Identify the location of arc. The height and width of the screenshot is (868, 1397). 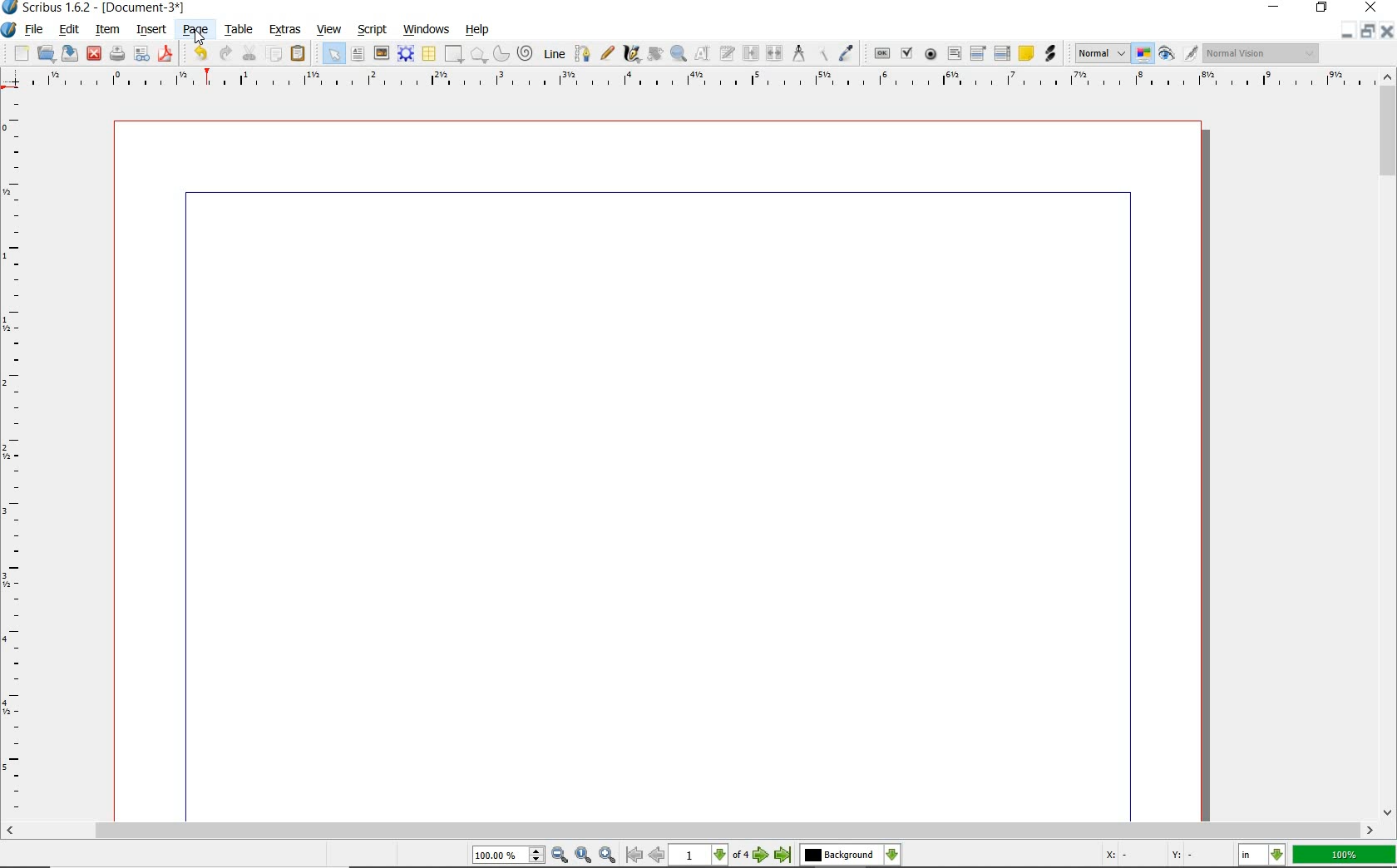
(500, 53).